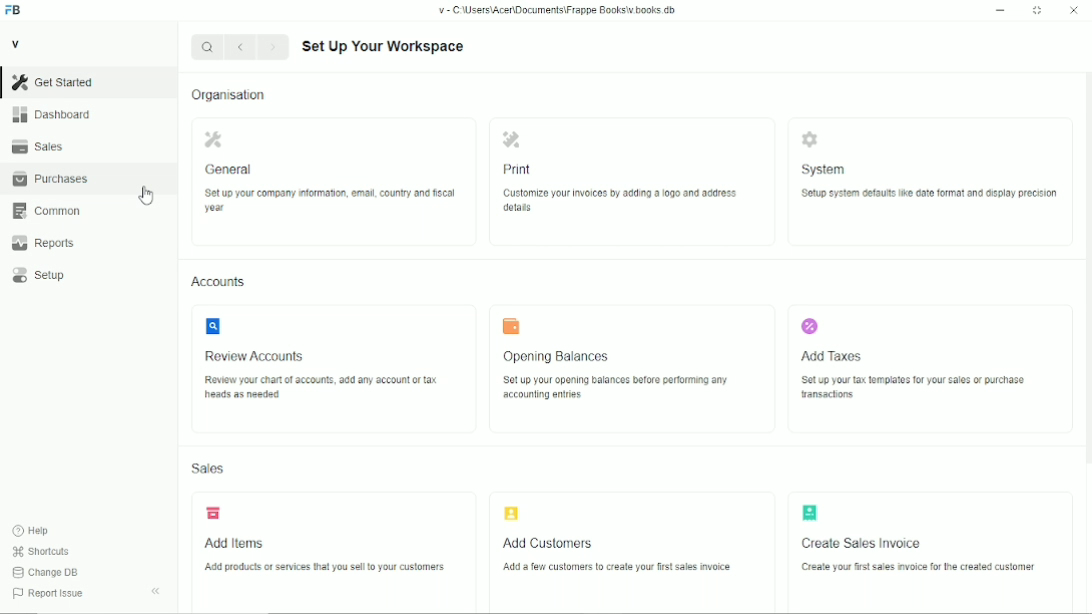 Image resolution: width=1092 pixels, height=614 pixels. Describe the element at coordinates (831, 355) in the screenshot. I see `Add Taxes` at that location.